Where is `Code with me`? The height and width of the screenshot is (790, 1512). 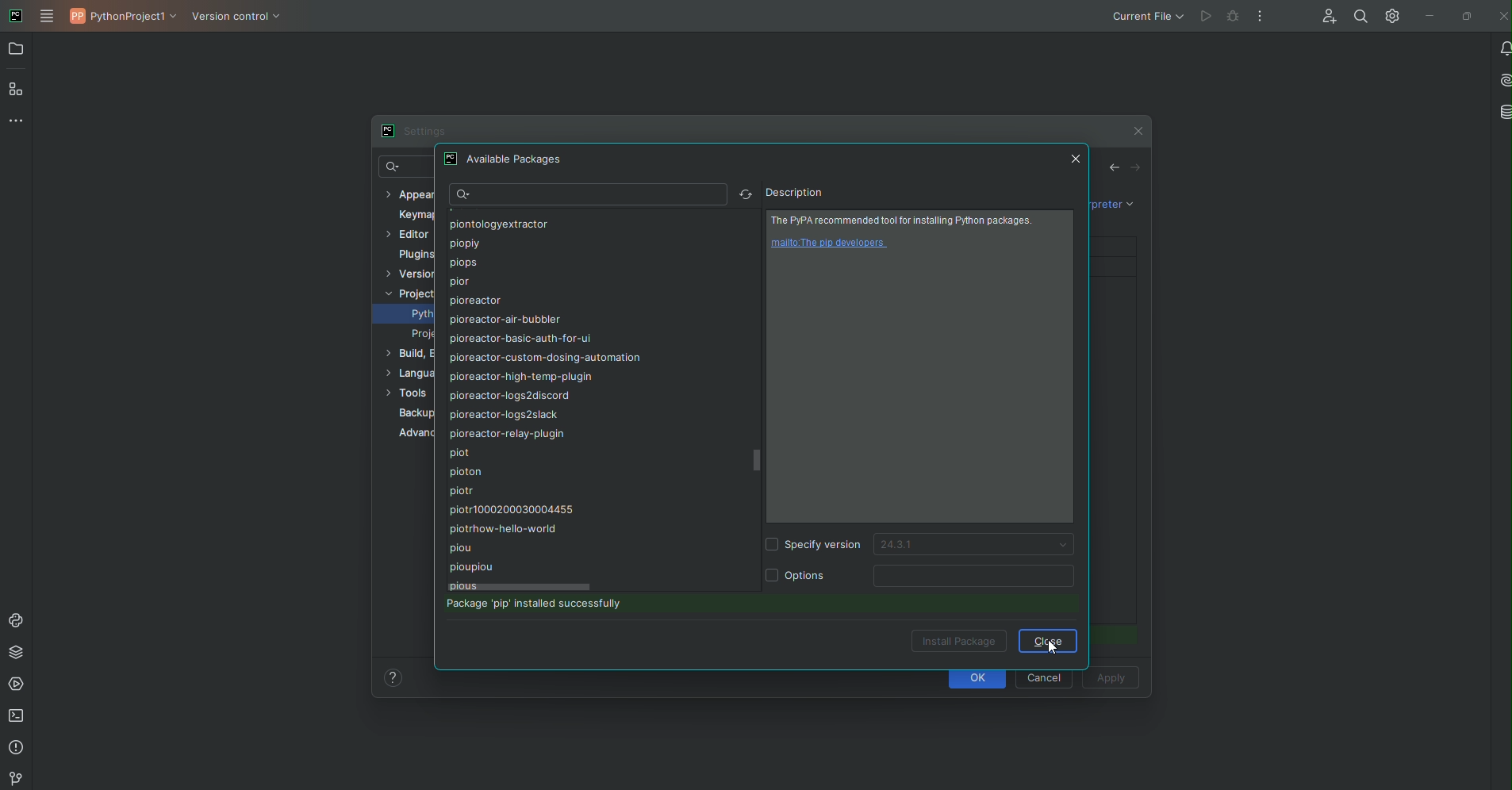 Code with me is located at coordinates (1328, 15).